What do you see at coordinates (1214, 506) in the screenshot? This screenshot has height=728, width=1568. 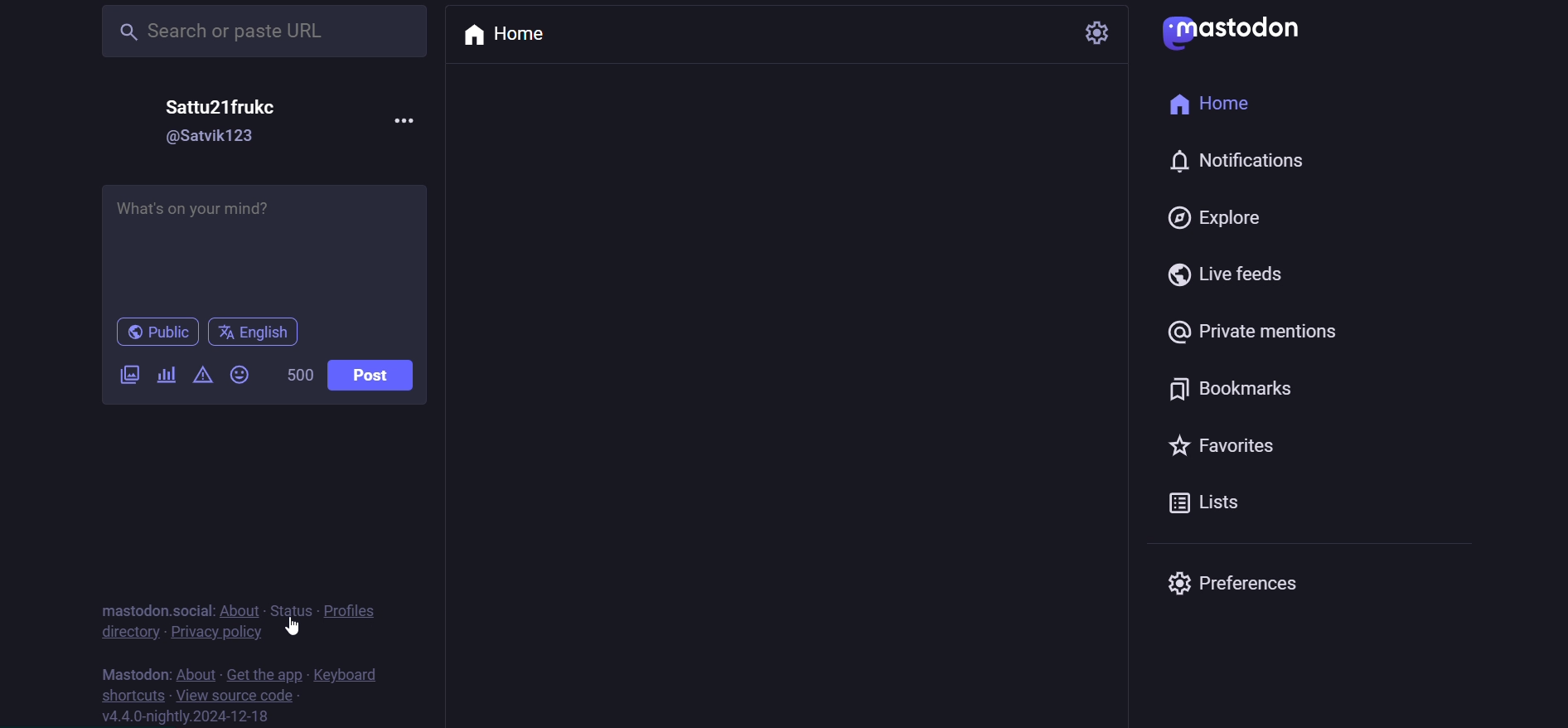 I see `list` at bounding box center [1214, 506].